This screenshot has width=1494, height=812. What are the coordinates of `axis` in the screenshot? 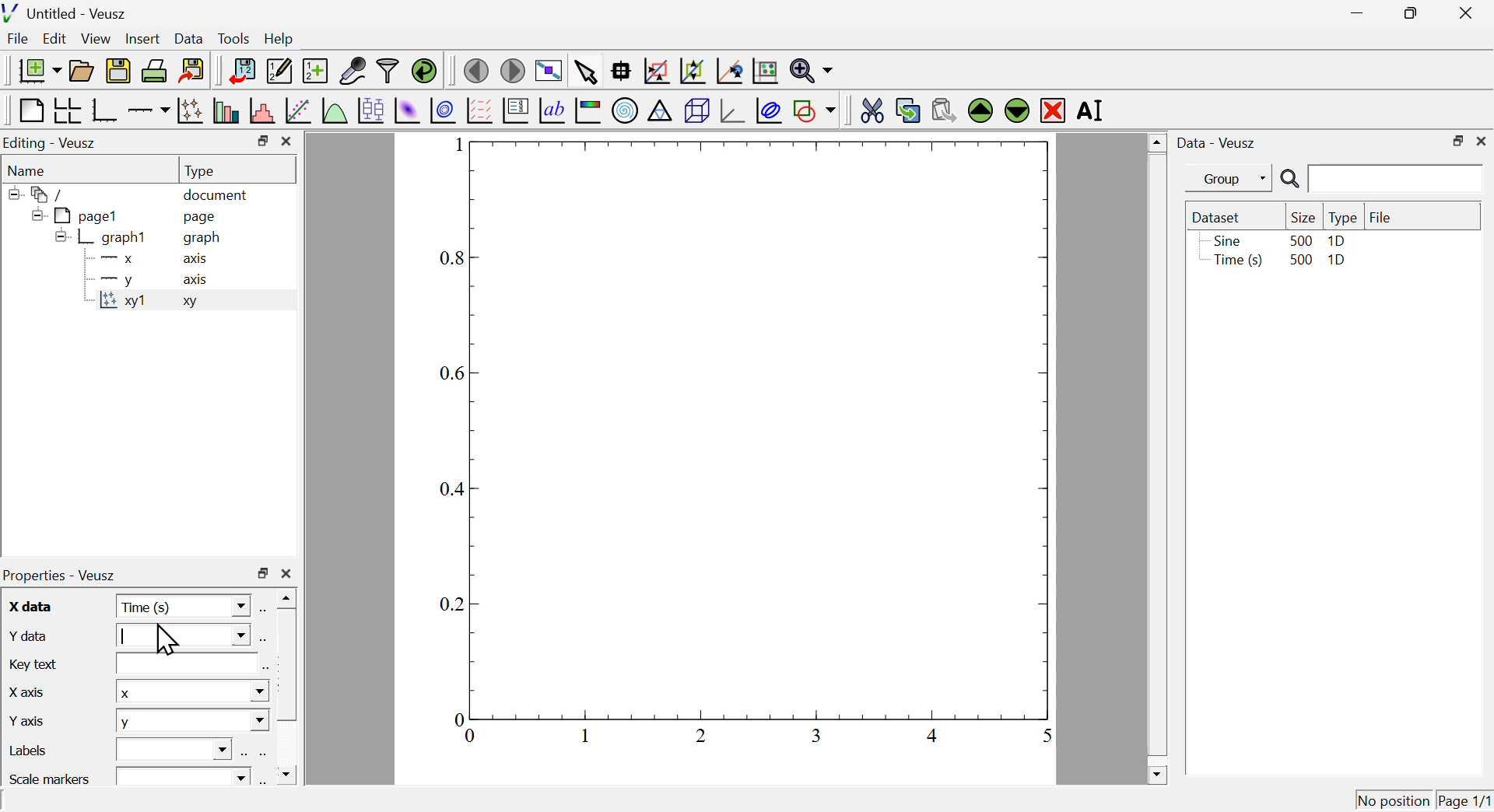 It's located at (198, 280).